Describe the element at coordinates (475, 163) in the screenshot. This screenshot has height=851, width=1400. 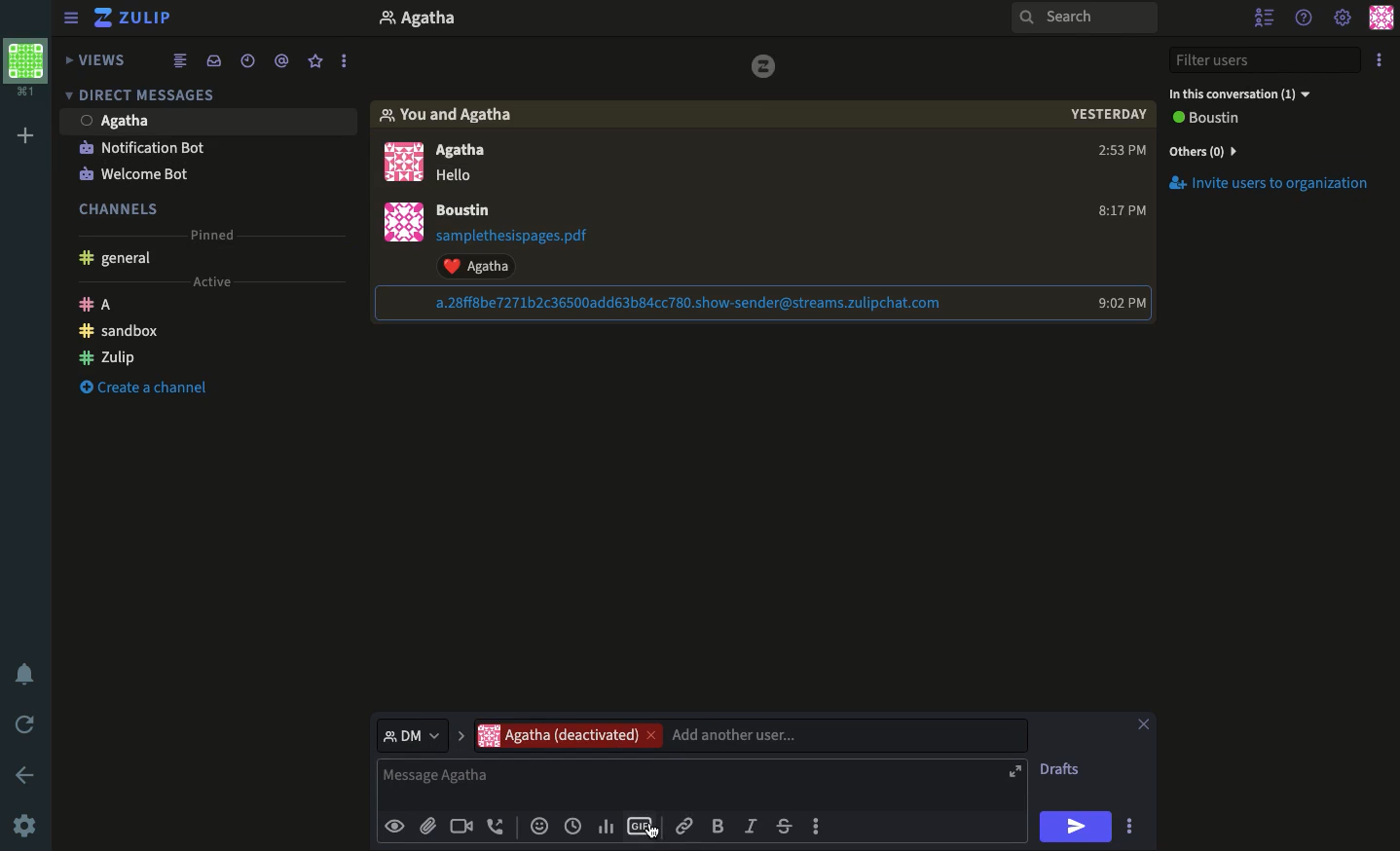
I see `User` at that location.